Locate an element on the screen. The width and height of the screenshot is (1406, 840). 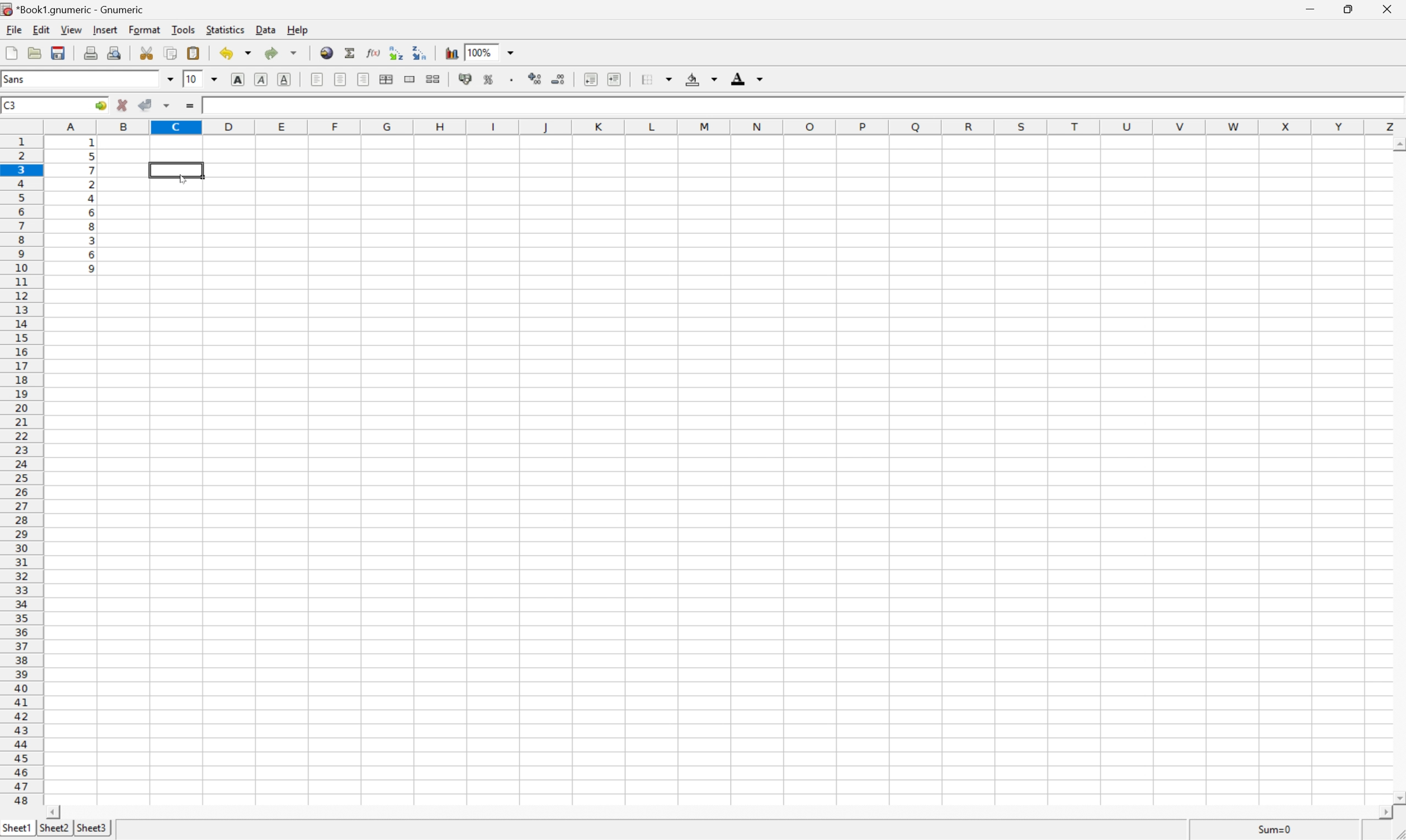
new is located at coordinates (12, 52).